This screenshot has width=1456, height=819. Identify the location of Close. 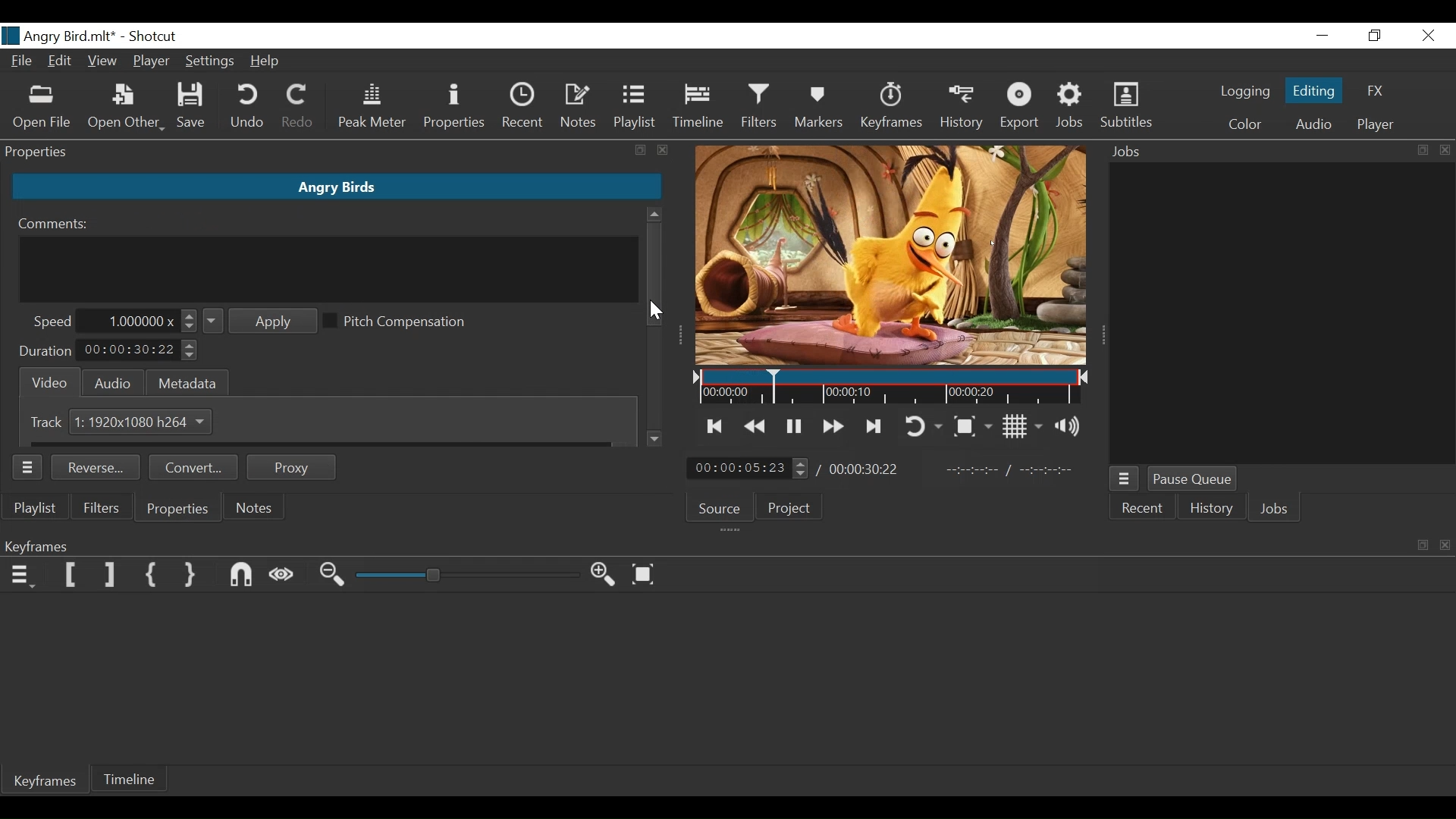
(1426, 36).